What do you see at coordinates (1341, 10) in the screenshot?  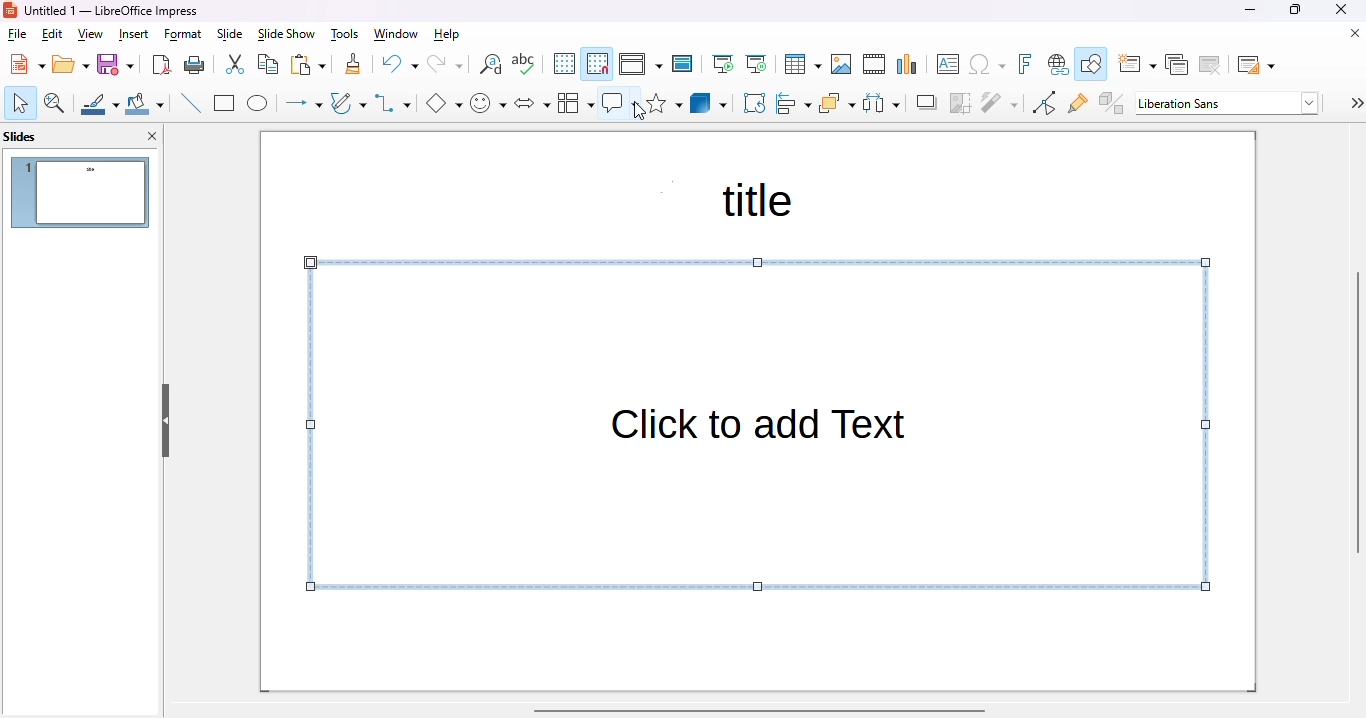 I see `close` at bounding box center [1341, 10].